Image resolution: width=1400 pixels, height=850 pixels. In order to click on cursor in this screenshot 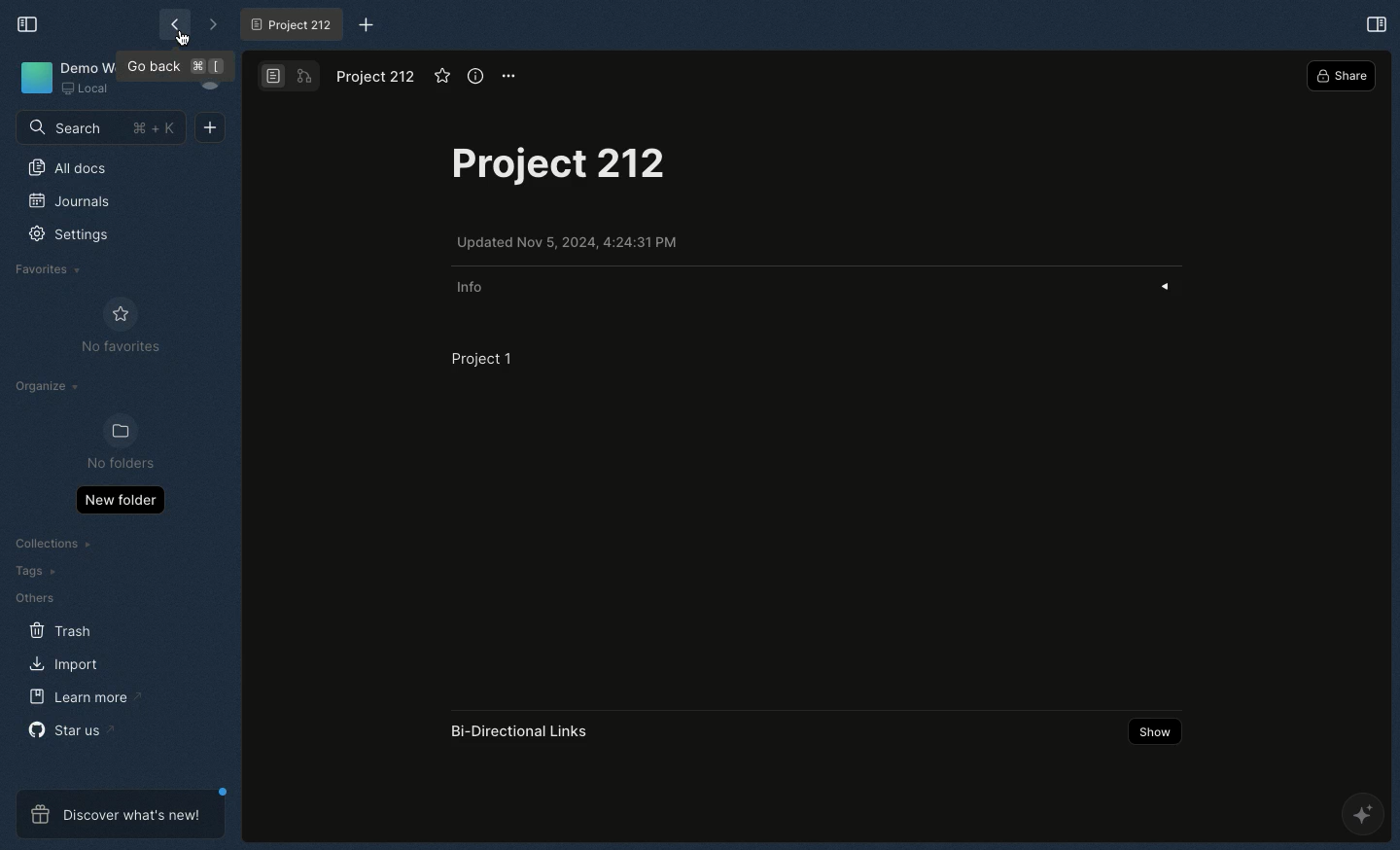, I will do `click(308, 142)`.